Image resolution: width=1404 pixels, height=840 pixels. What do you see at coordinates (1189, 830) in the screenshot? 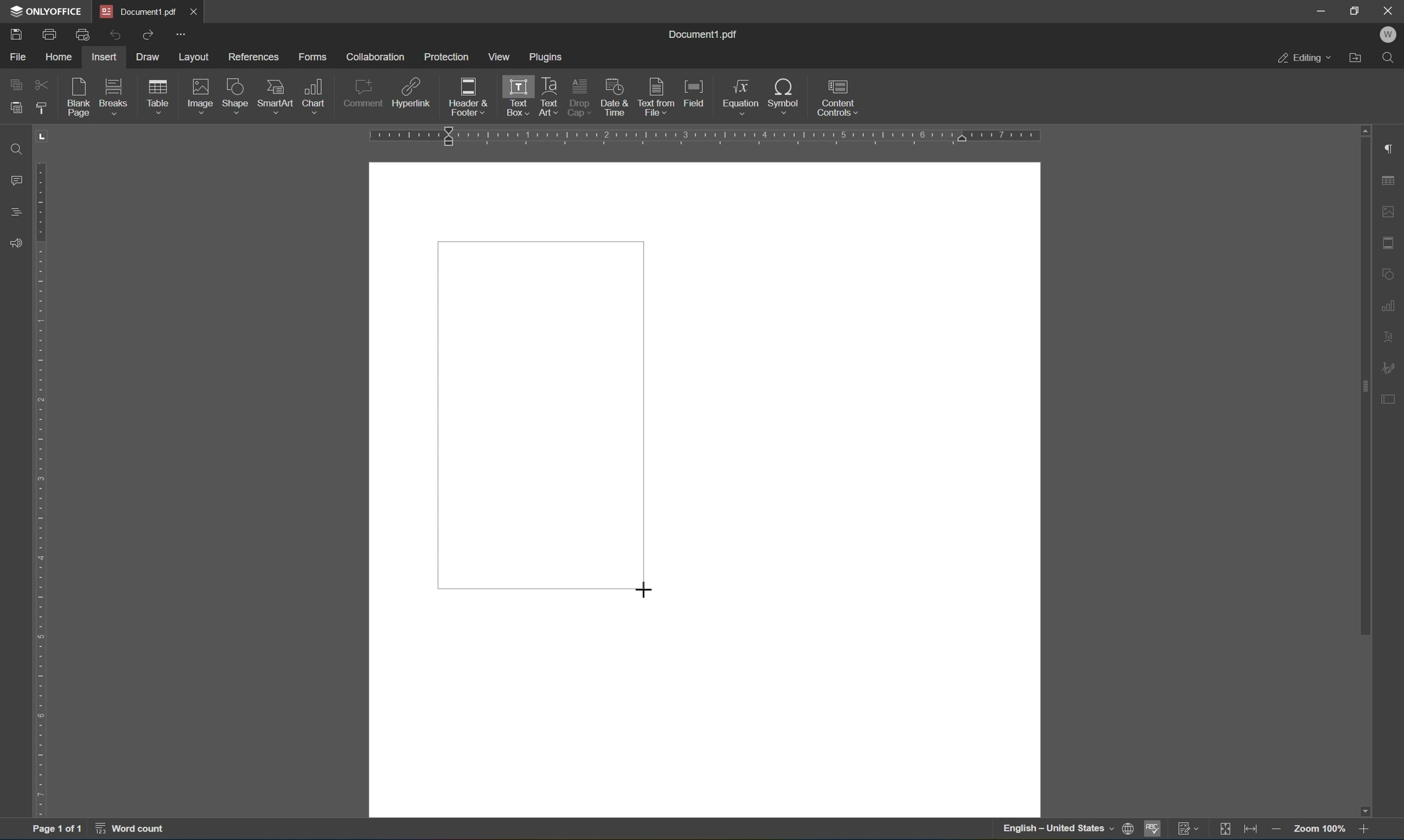
I see `track changes` at bounding box center [1189, 830].